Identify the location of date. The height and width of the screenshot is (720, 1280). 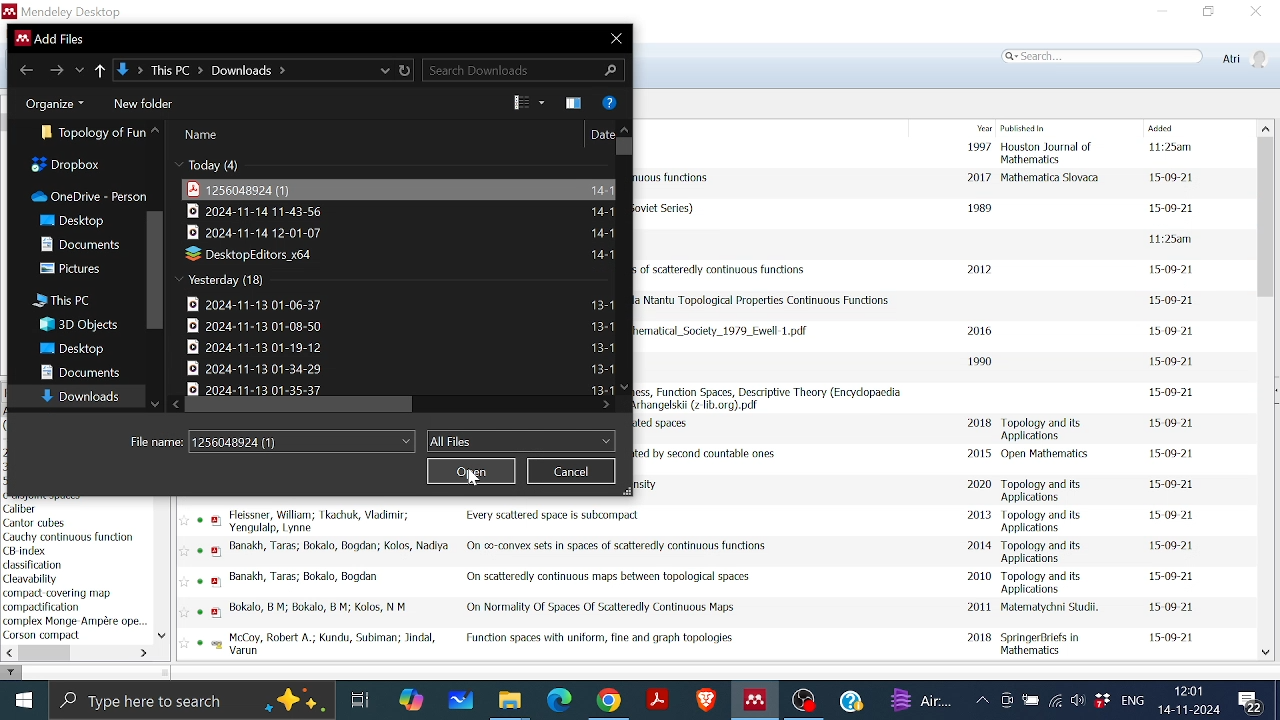
(1168, 360).